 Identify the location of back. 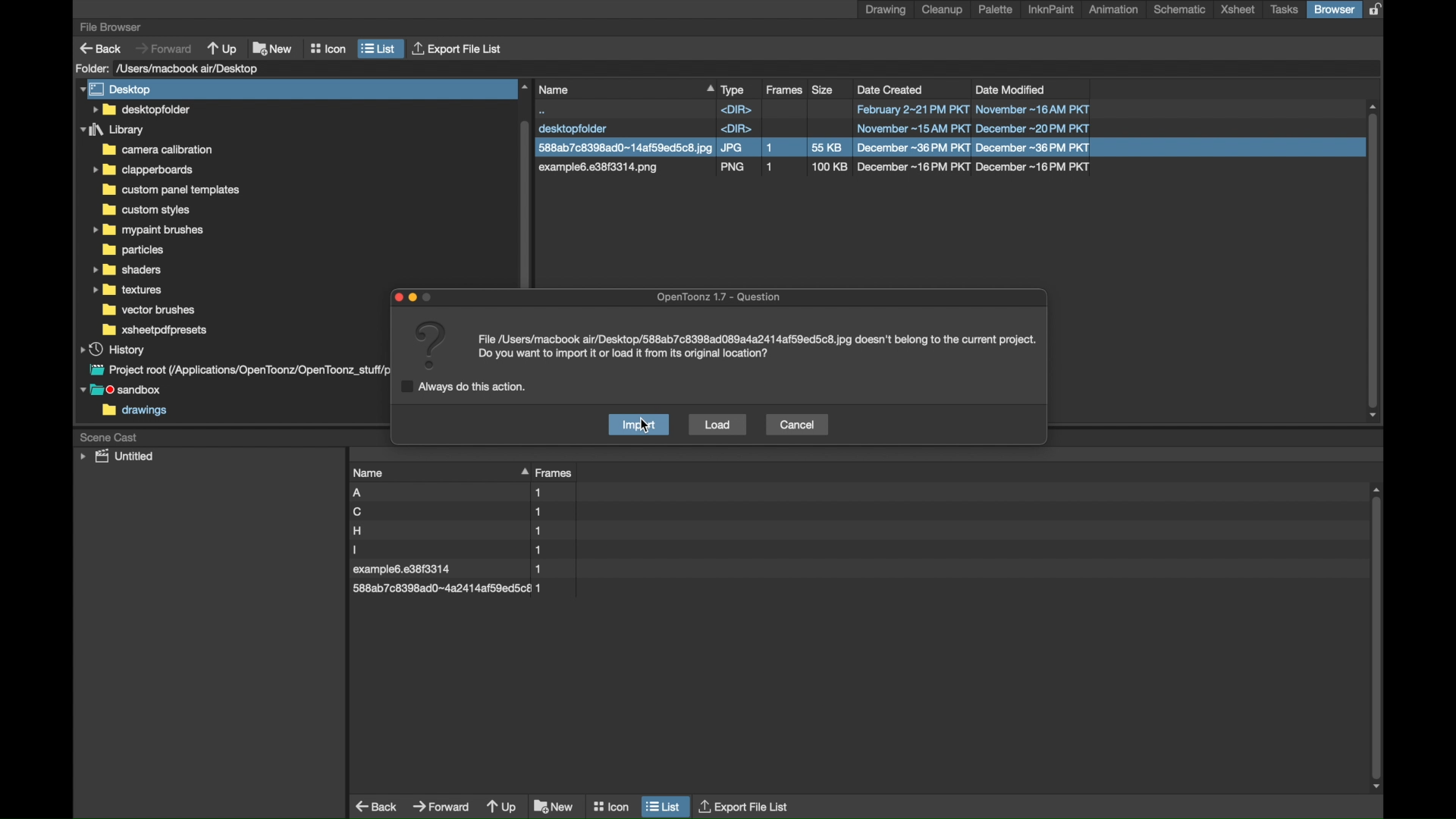
(101, 49).